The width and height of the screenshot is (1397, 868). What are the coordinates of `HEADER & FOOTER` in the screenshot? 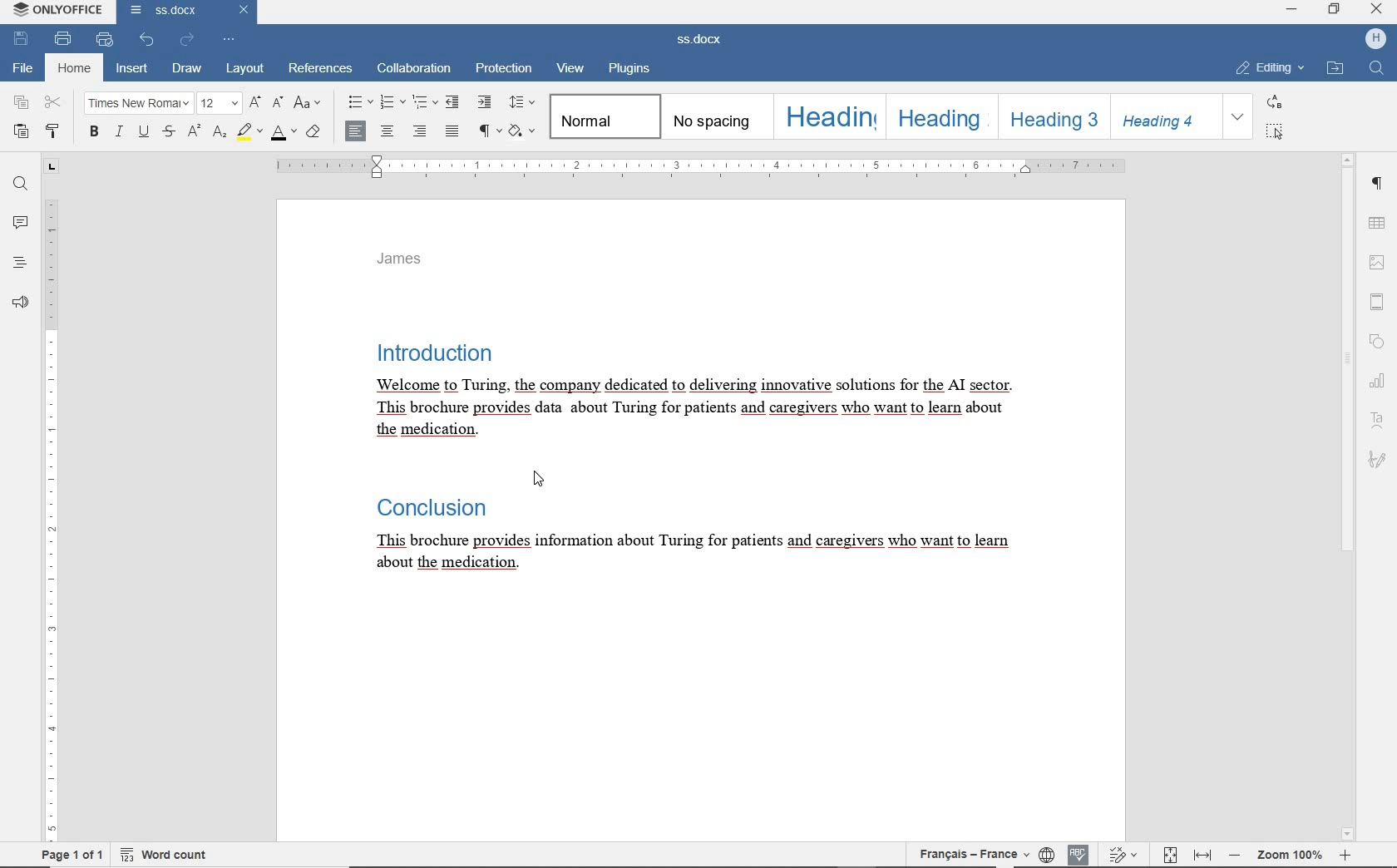 It's located at (1378, 303).